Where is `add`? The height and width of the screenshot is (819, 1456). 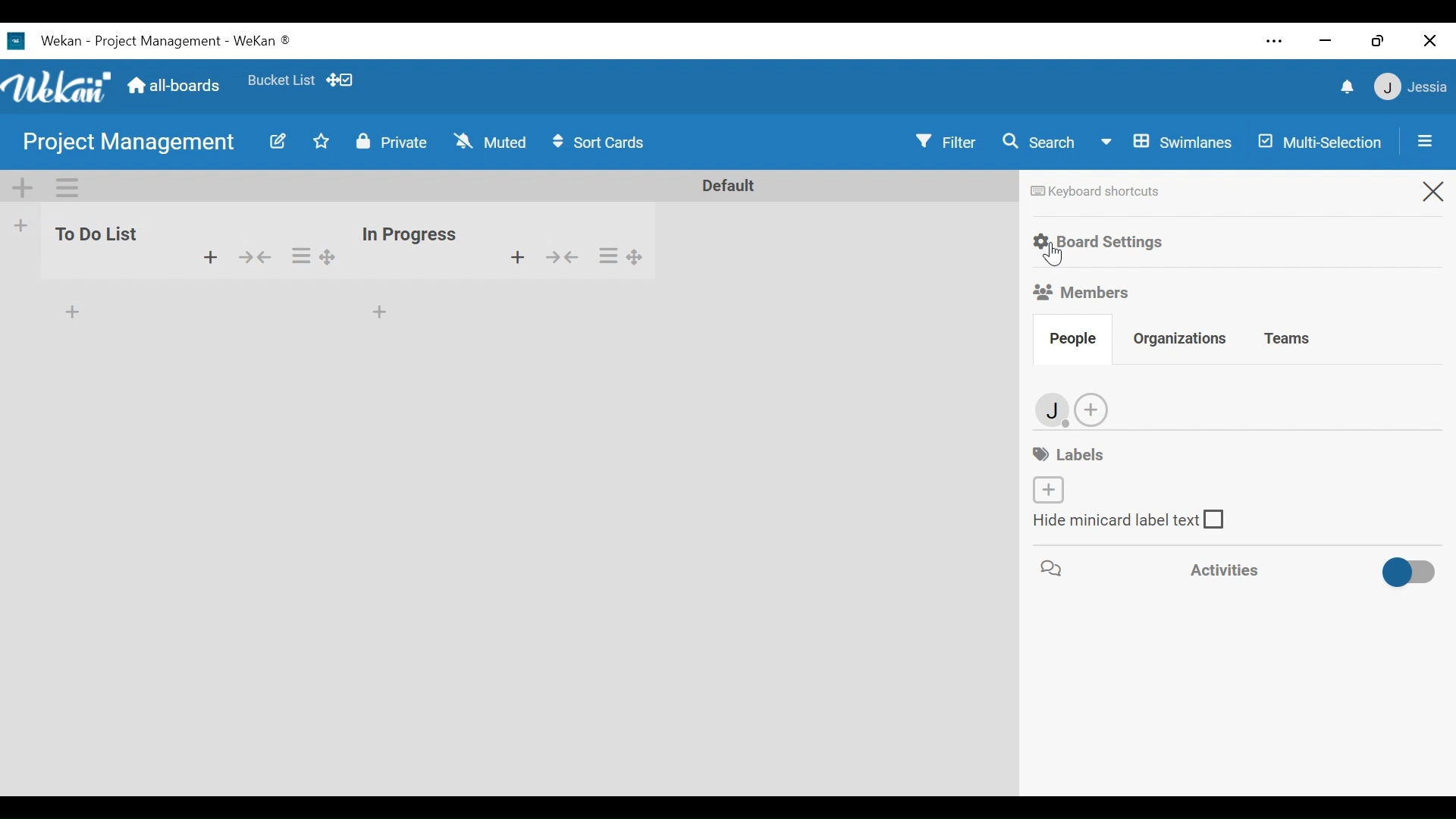 add is located at coordinates (507, 257).